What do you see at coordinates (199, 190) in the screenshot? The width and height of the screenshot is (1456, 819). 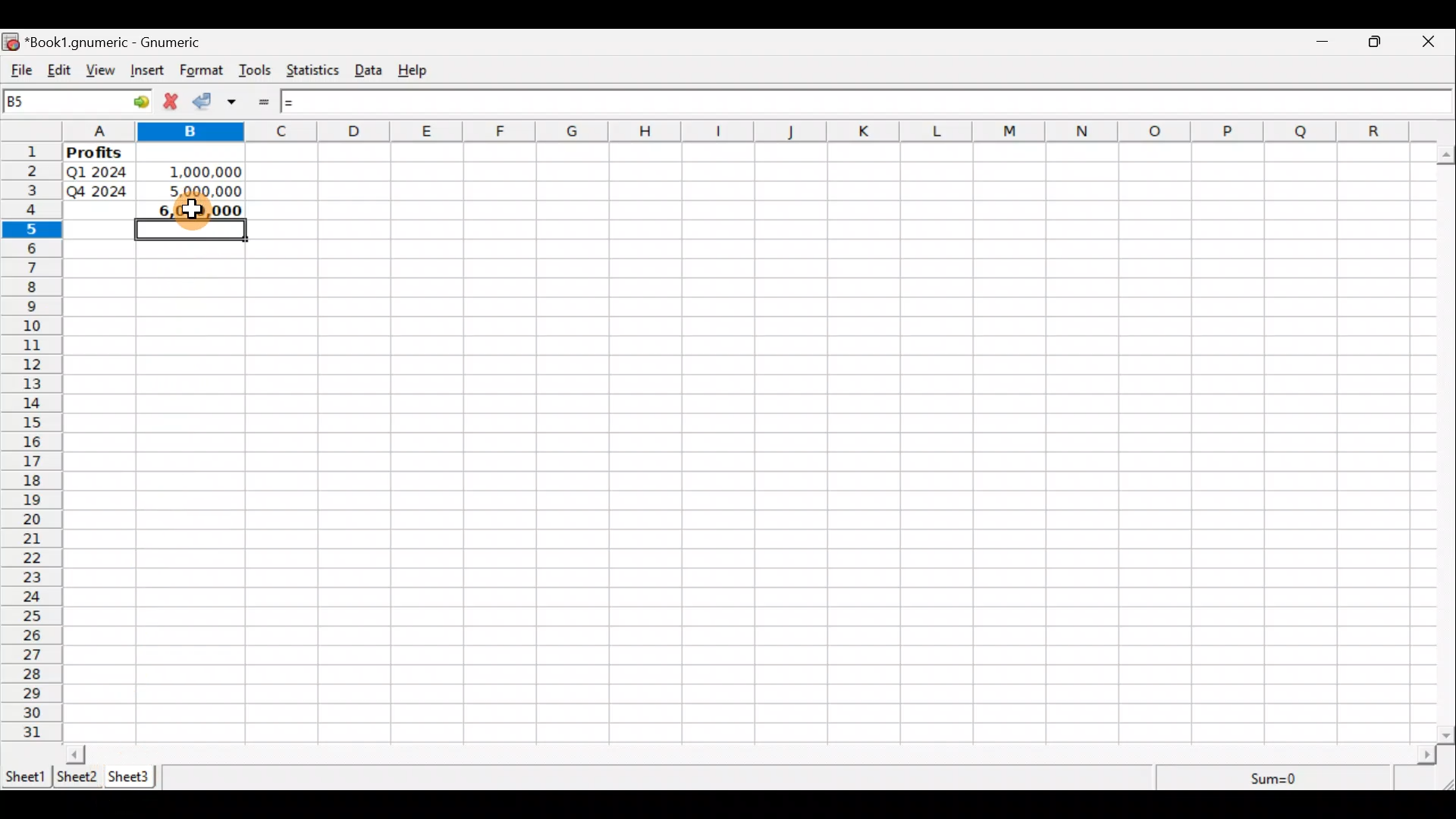 I see `5,000,000` at bounding box center [199, 190].